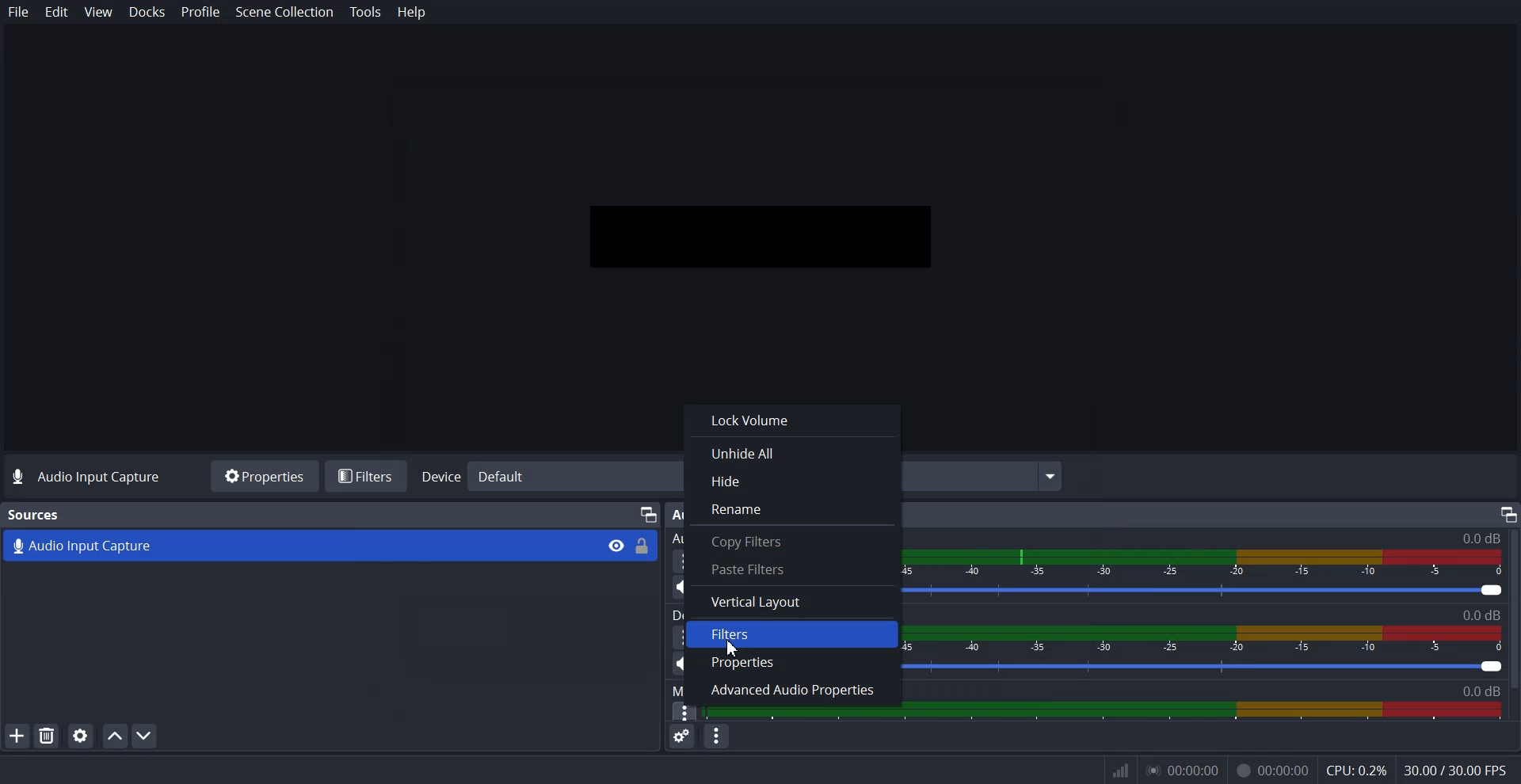 The height and width of the screenshot is (784, 1521). What do you see at coordinates (57, 12) in the screenshot?
I see `Edit` at bounding box center [57, 12].